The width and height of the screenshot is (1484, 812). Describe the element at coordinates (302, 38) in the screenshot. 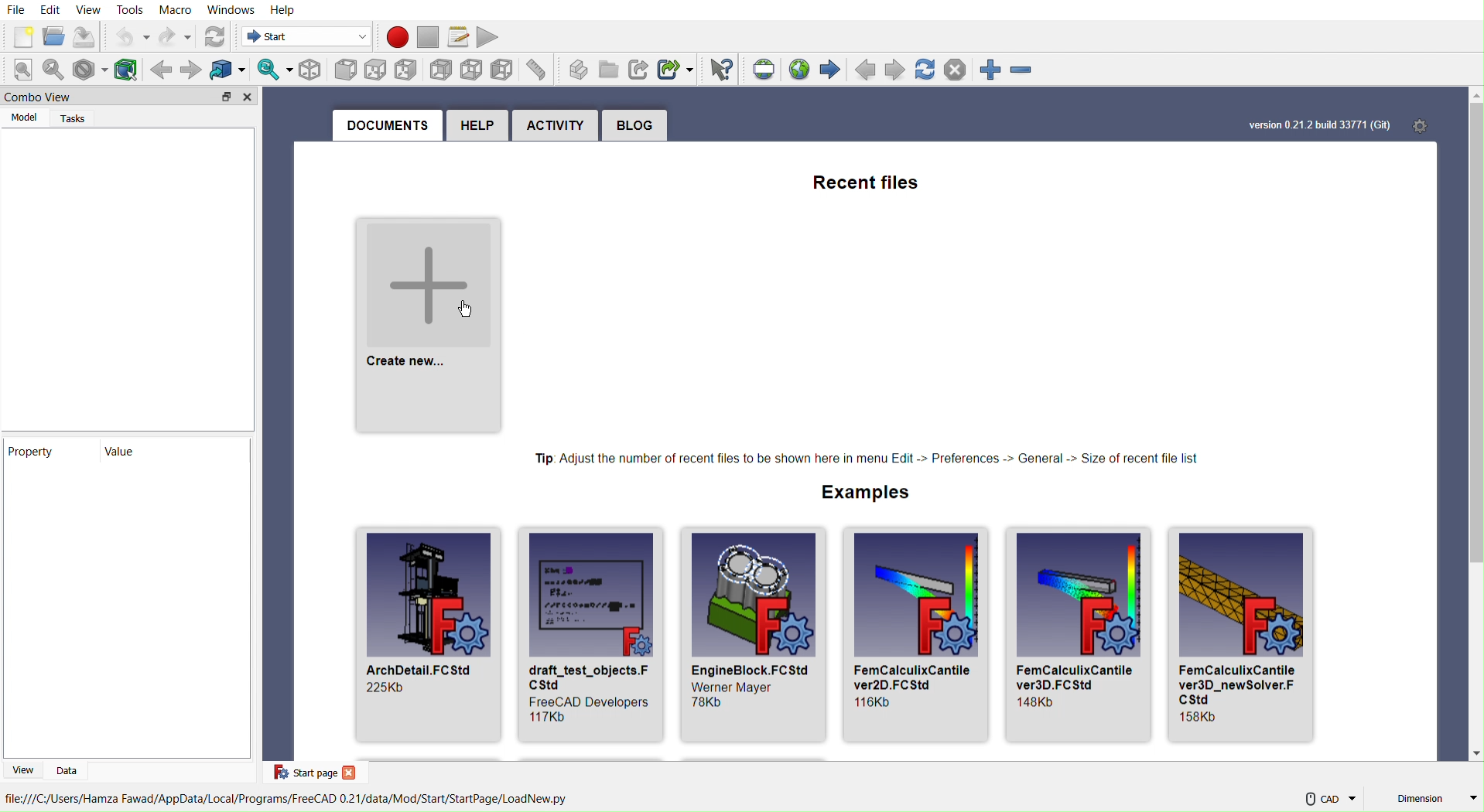

I see `Start` at that location.